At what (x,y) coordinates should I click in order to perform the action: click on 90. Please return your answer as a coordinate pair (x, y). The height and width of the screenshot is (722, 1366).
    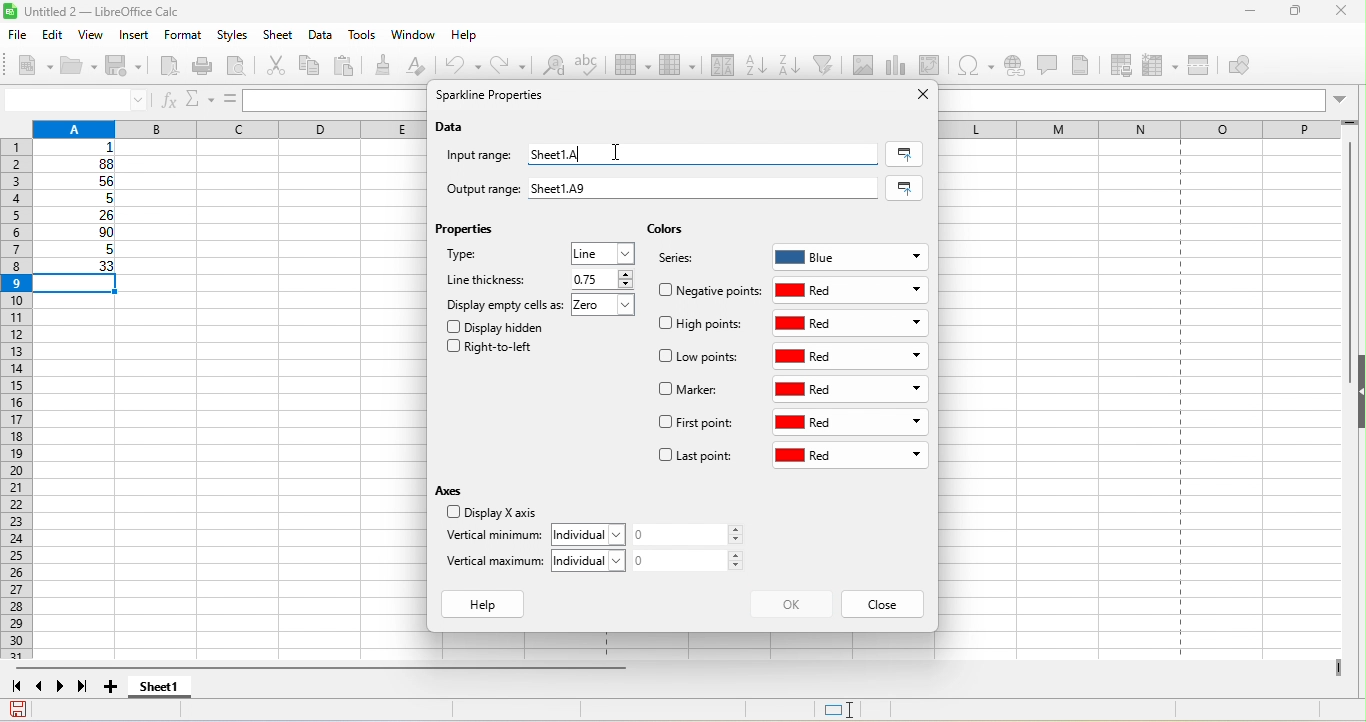
    Looking at the image, I should click on (78, 234).